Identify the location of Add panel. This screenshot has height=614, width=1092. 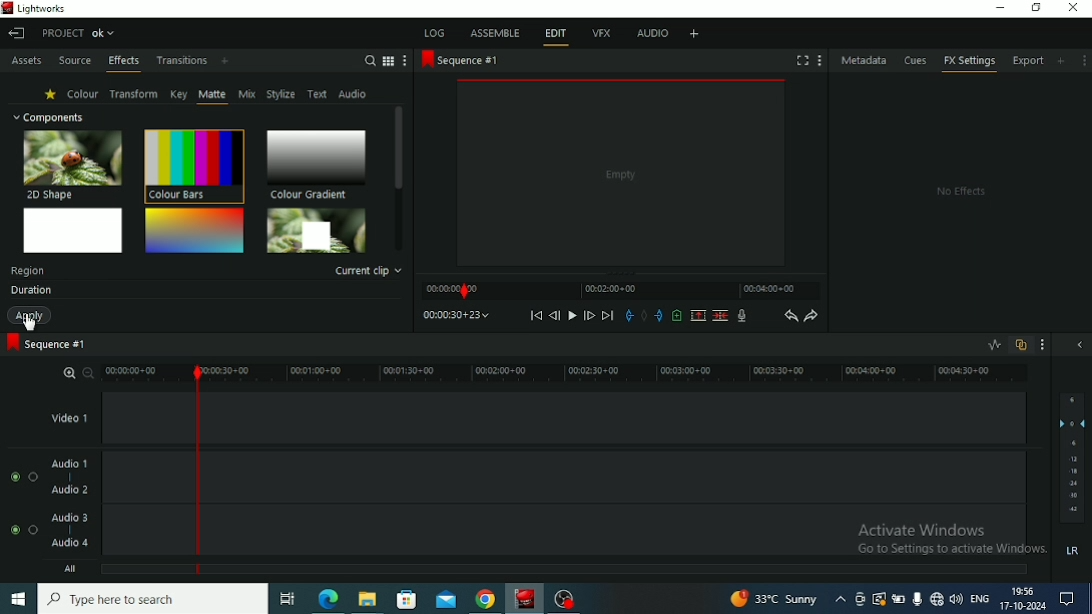
(1063, 60).